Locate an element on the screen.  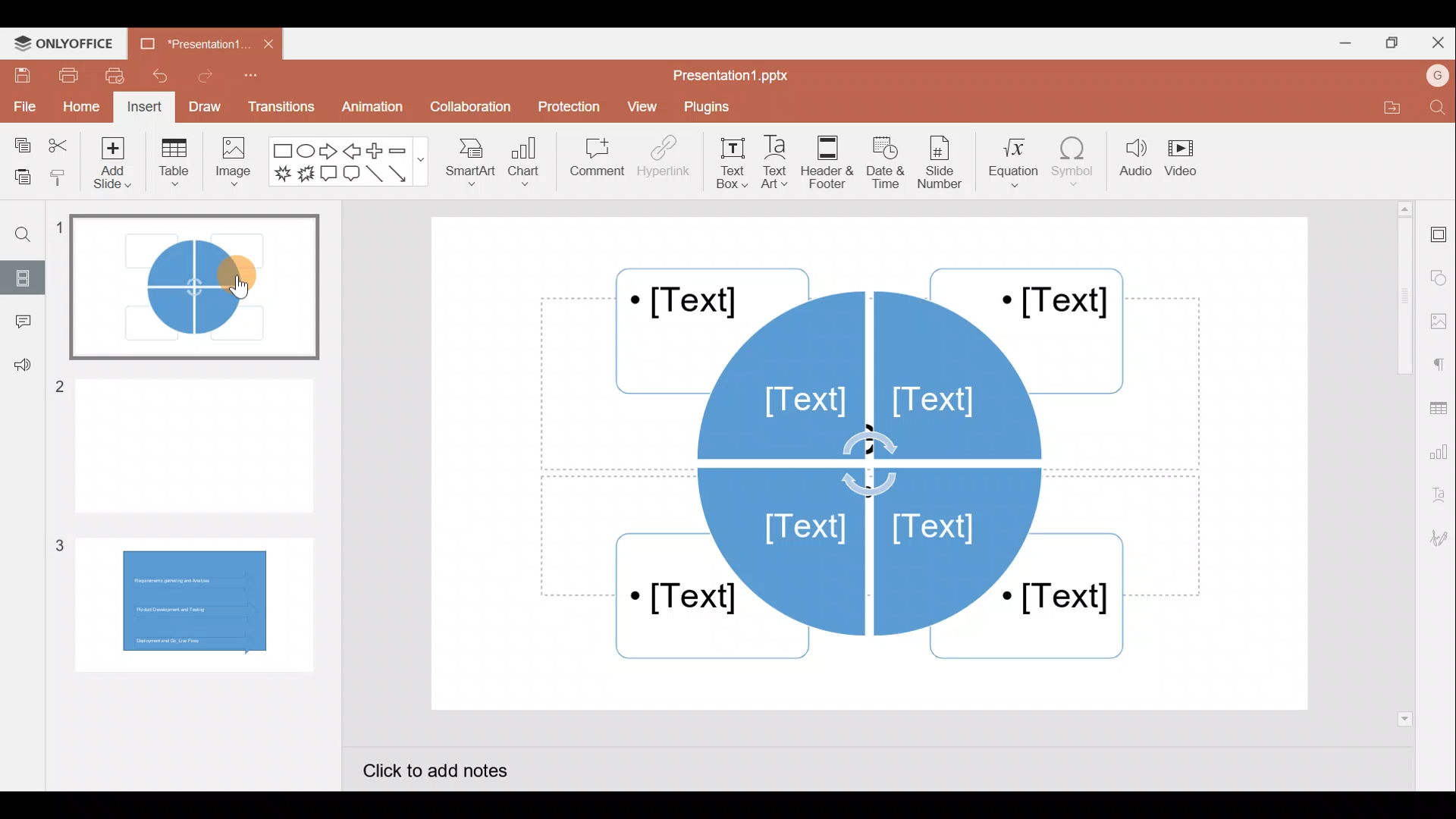
Comment is located at coordinates (19, 322).